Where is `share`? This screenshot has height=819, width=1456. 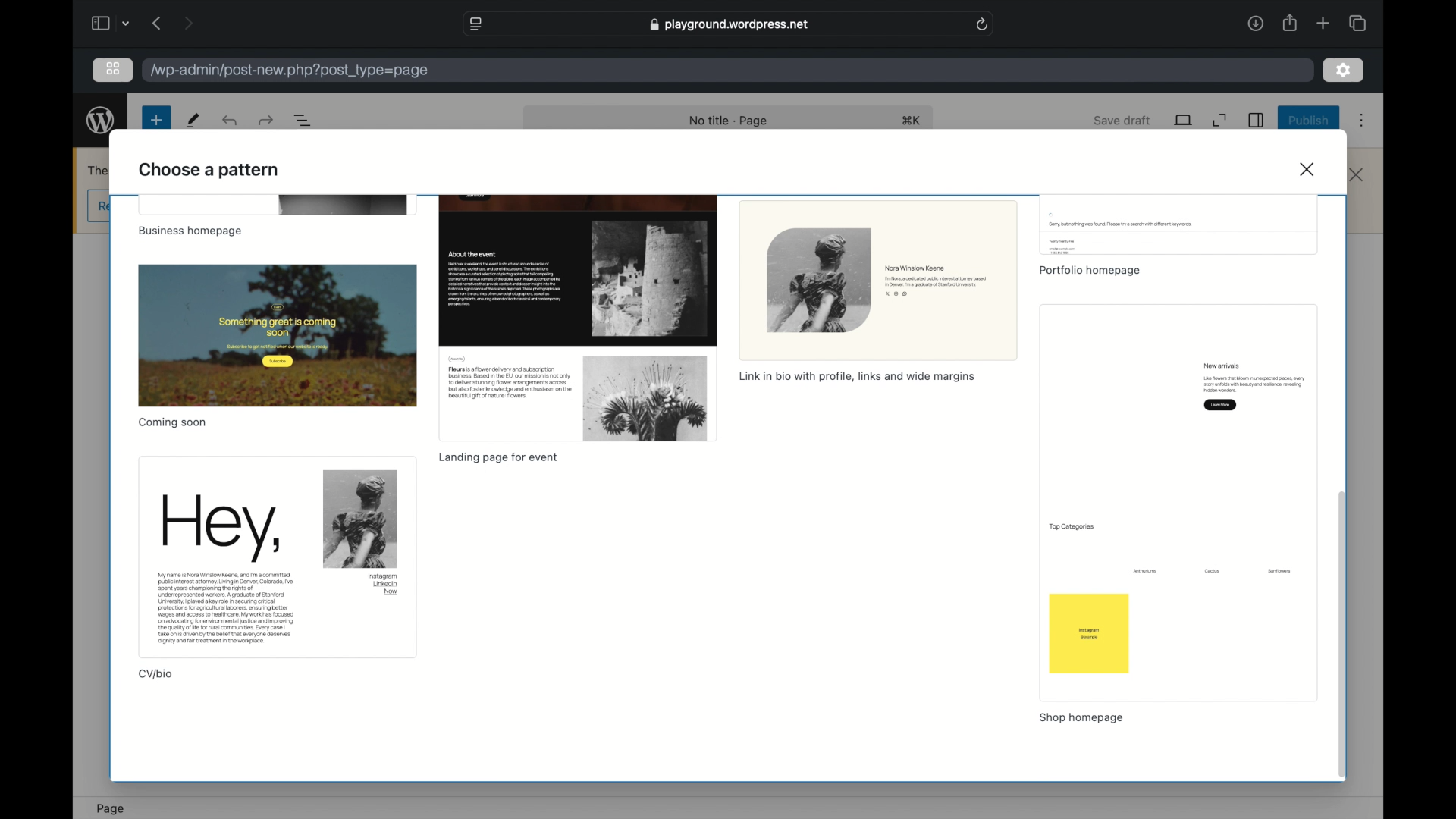
share is located at coordinates (1288, 23).